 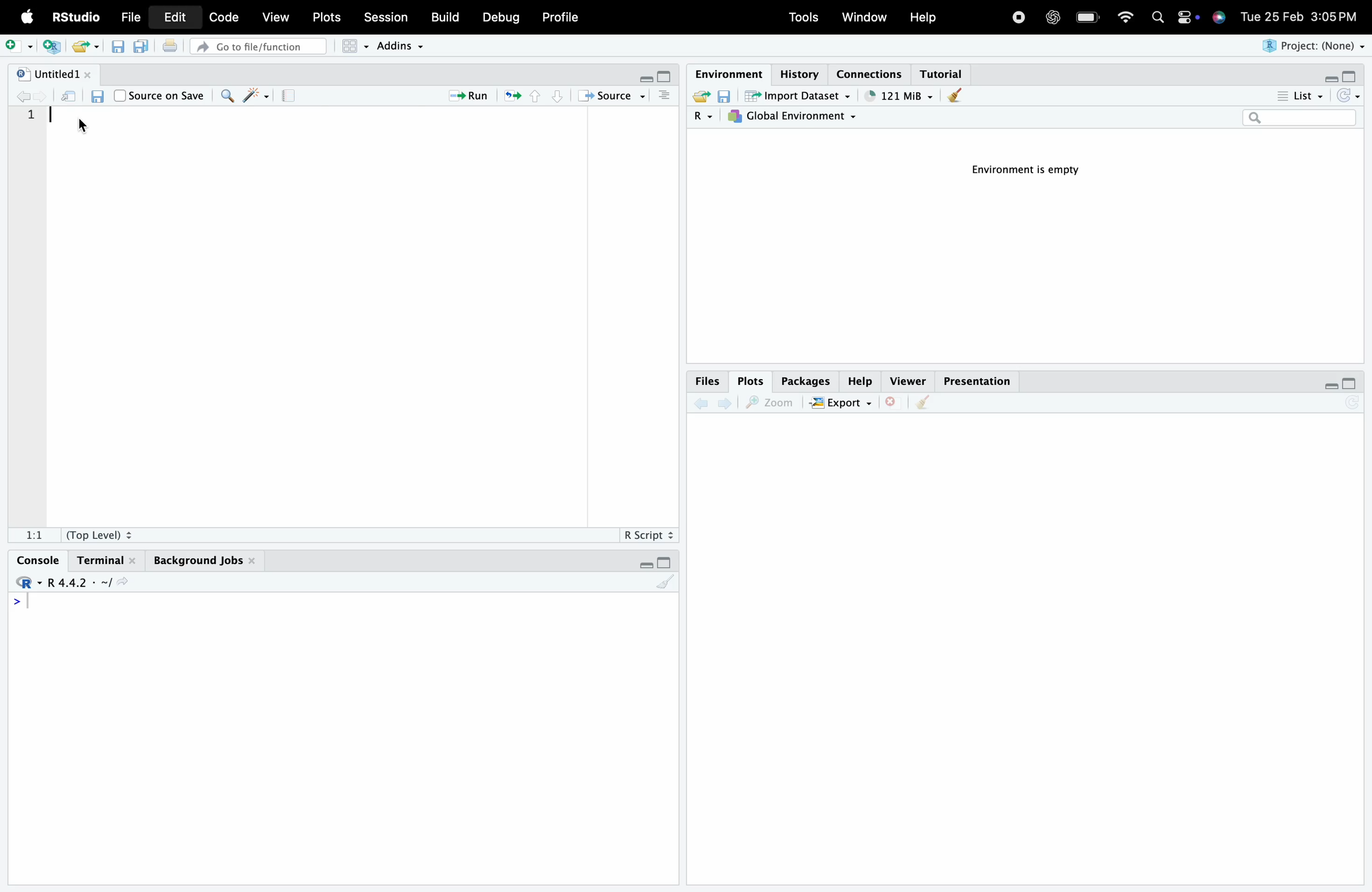 I want to click on Minimize, so click(x=1330, y=77).